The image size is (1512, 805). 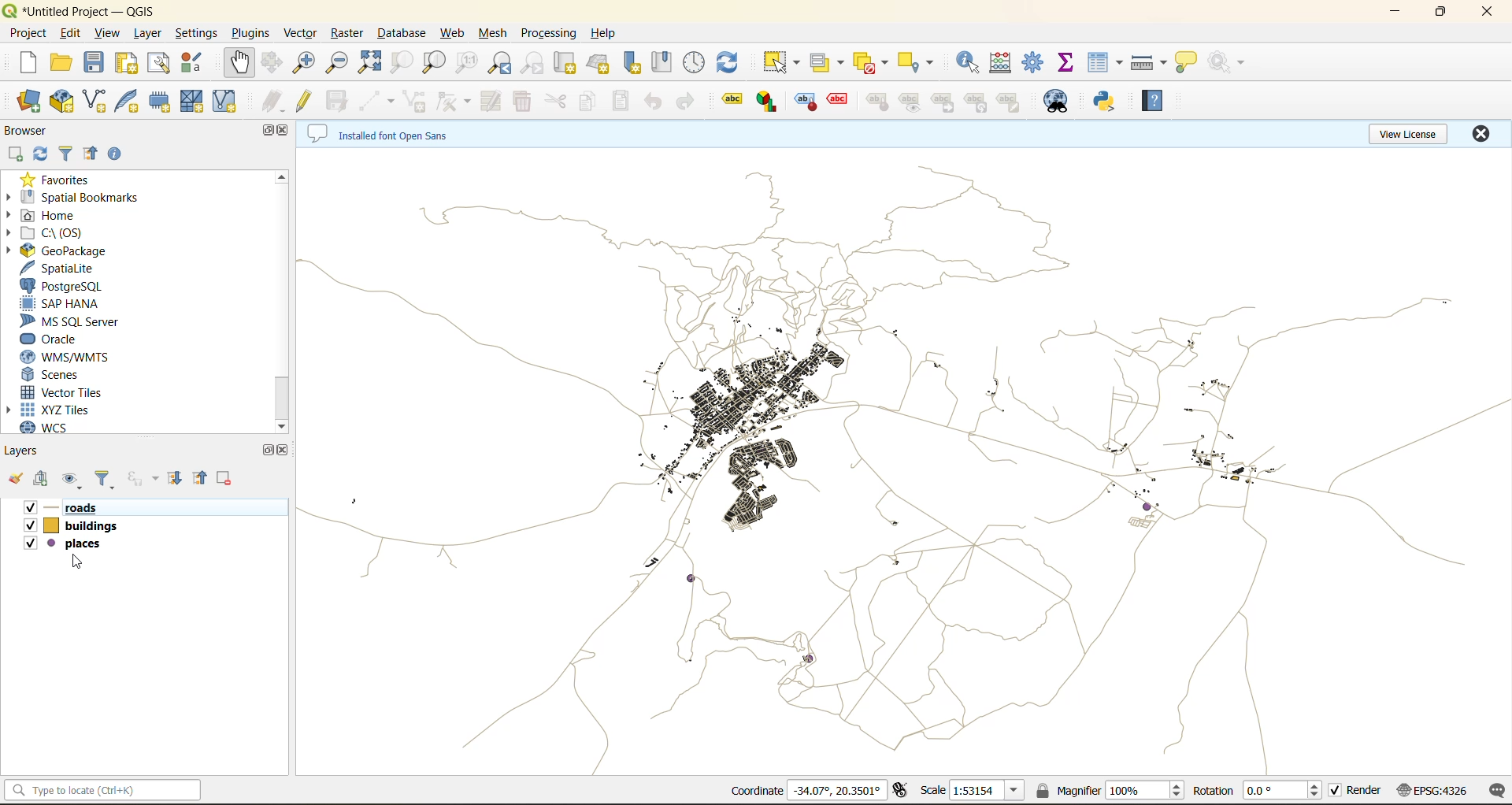 I want to click on raster, so click(x=345, y=34).